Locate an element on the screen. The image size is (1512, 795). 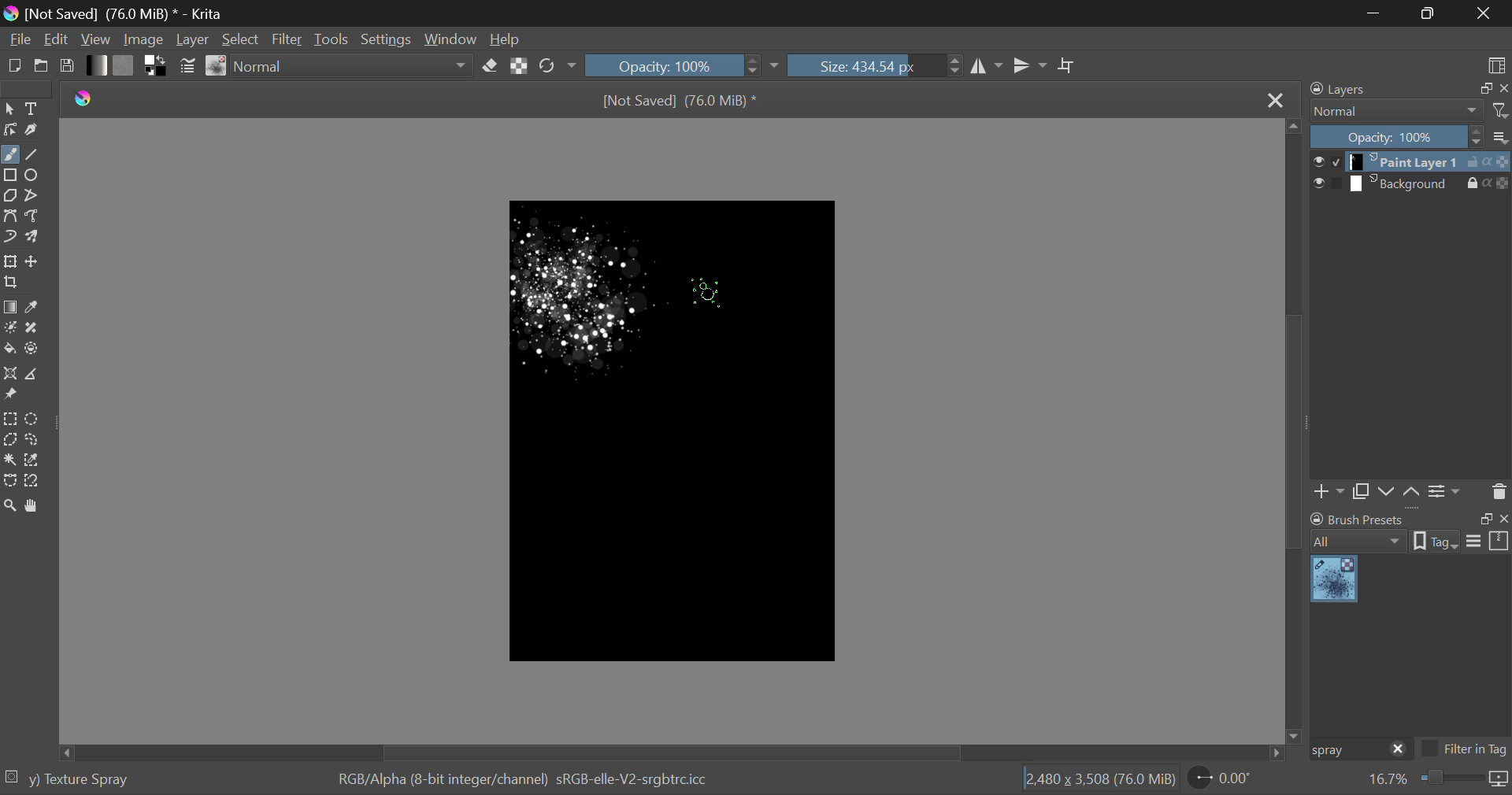
zoom value is located at coordinates (1388, 780).